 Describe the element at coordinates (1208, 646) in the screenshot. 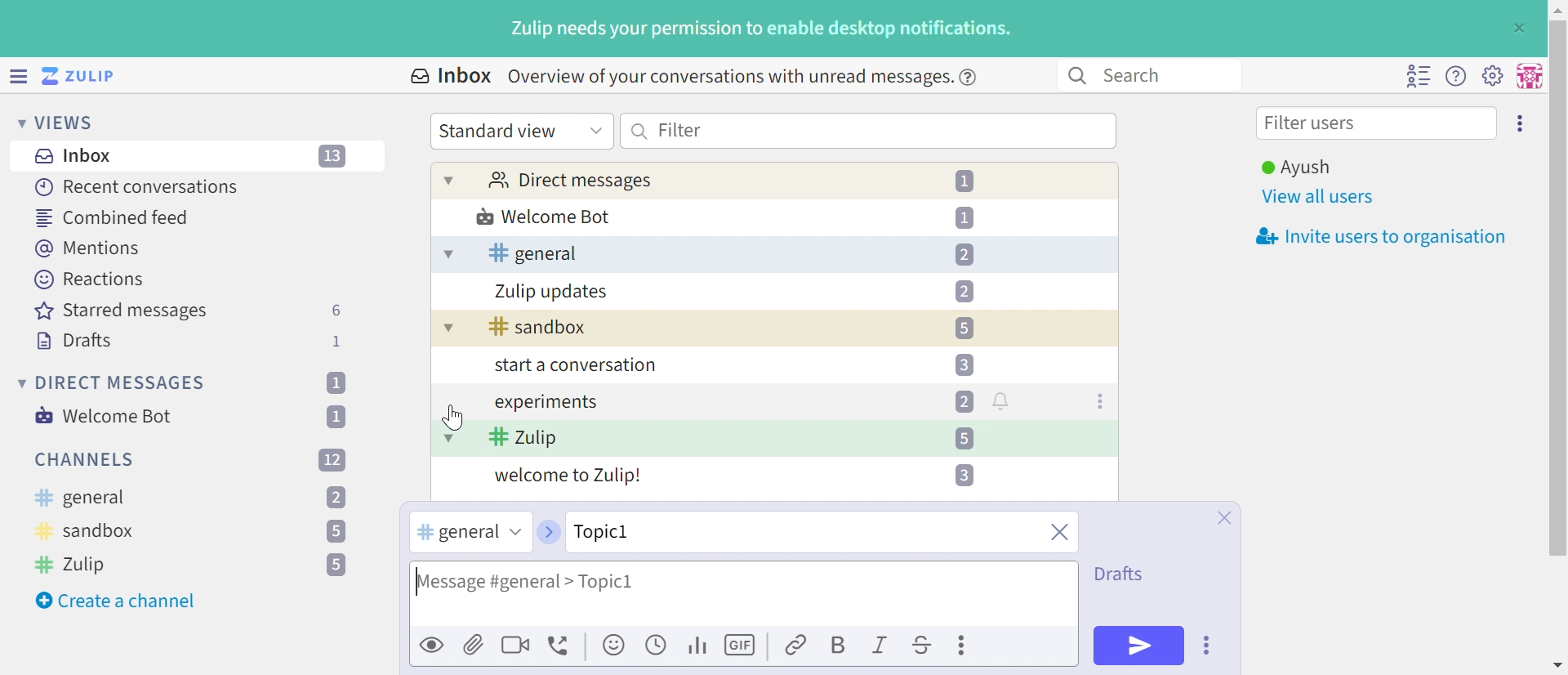

I see `Send options` at that location.